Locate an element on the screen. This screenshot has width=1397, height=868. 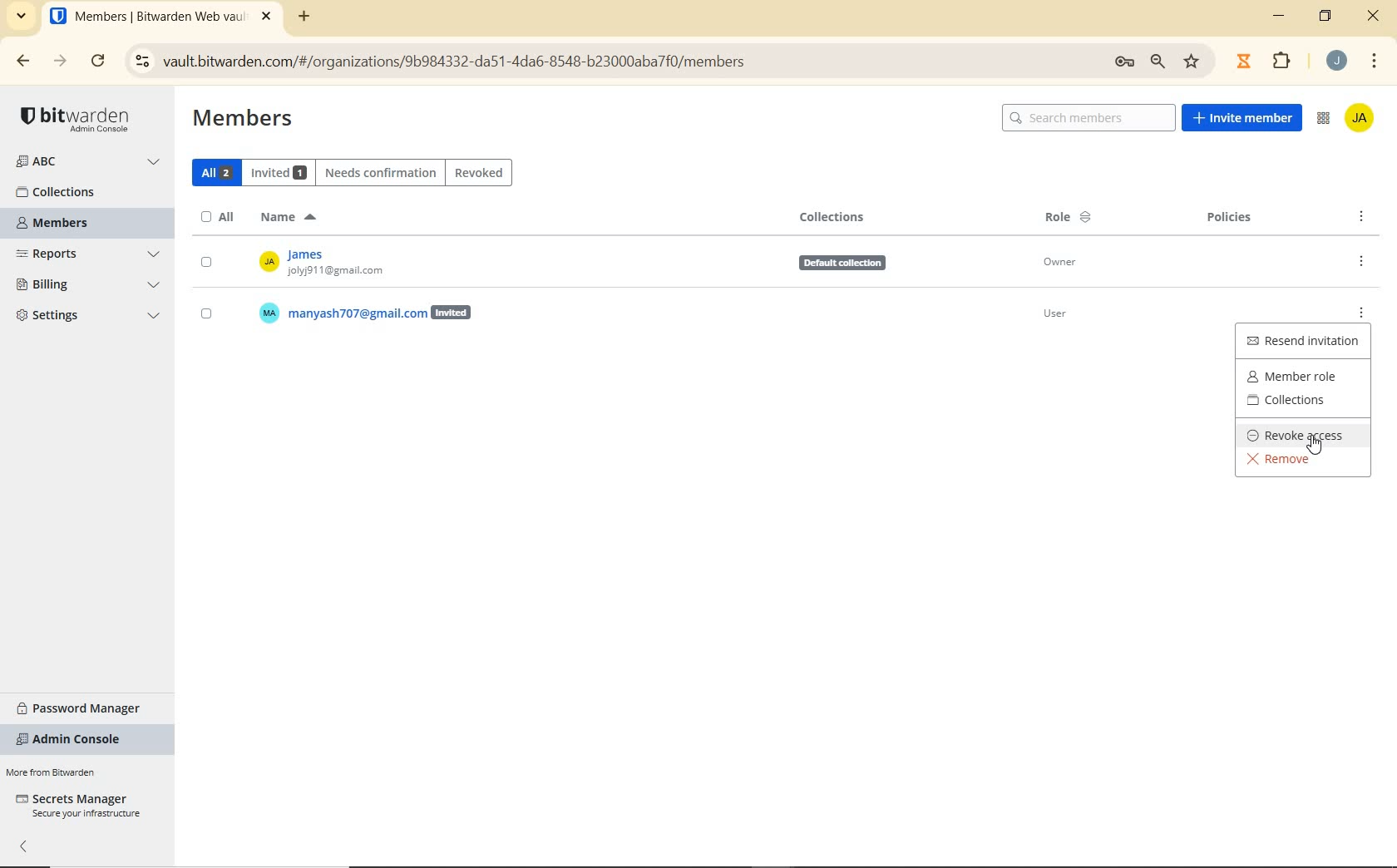
BITWARDEN WEB VAULT is located at coordinates (163, 18).